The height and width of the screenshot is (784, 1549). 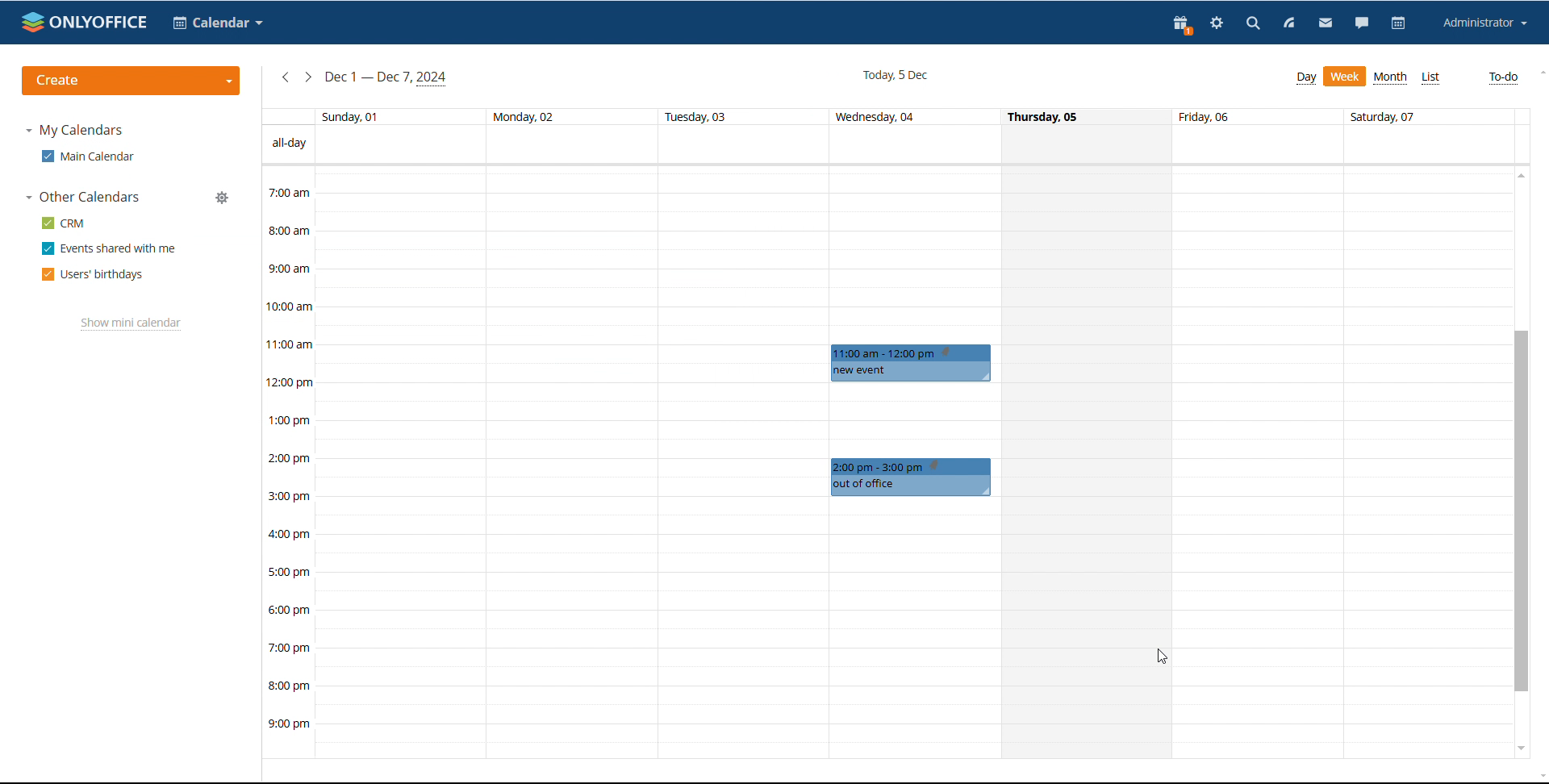 What do you see at coordinates (1324, 25) in the screenshot?
I see `mail` at bounding box center [1324, 25].